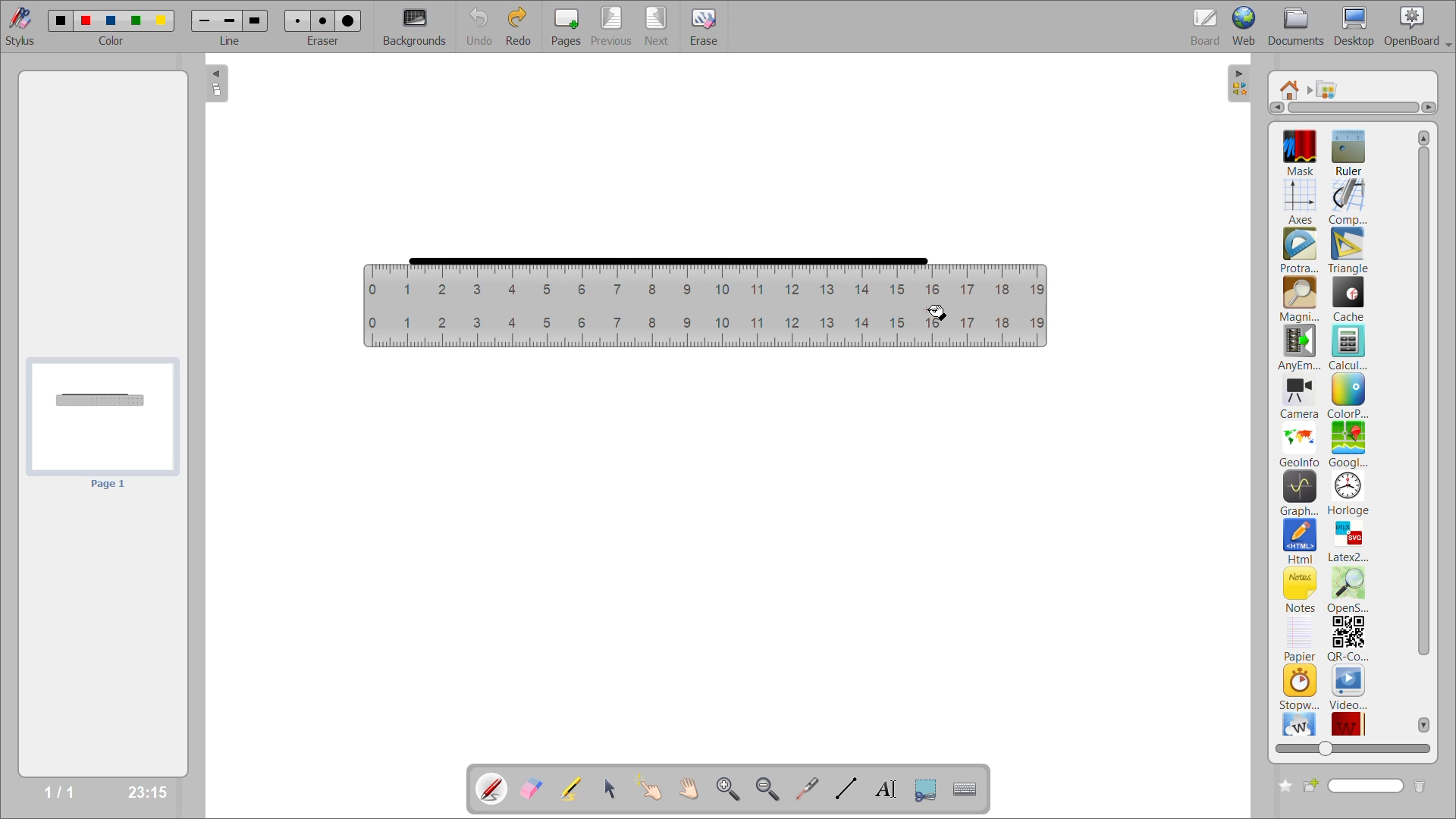  Describe the element at coordinates (613, 789) in the screenshot. I see `select and modify objects` at that location.